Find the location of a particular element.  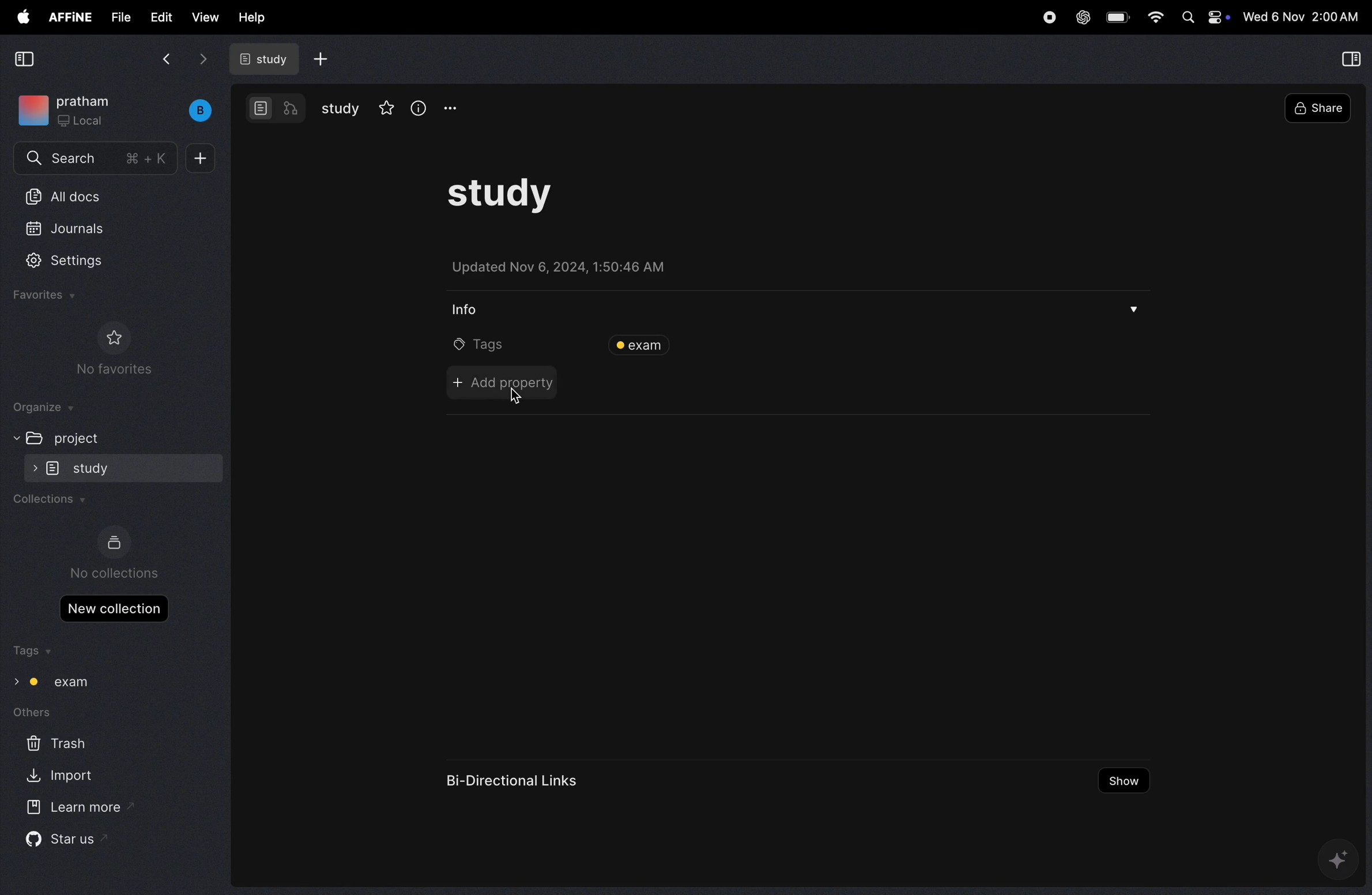

plus is located at coordinates (201, 157).